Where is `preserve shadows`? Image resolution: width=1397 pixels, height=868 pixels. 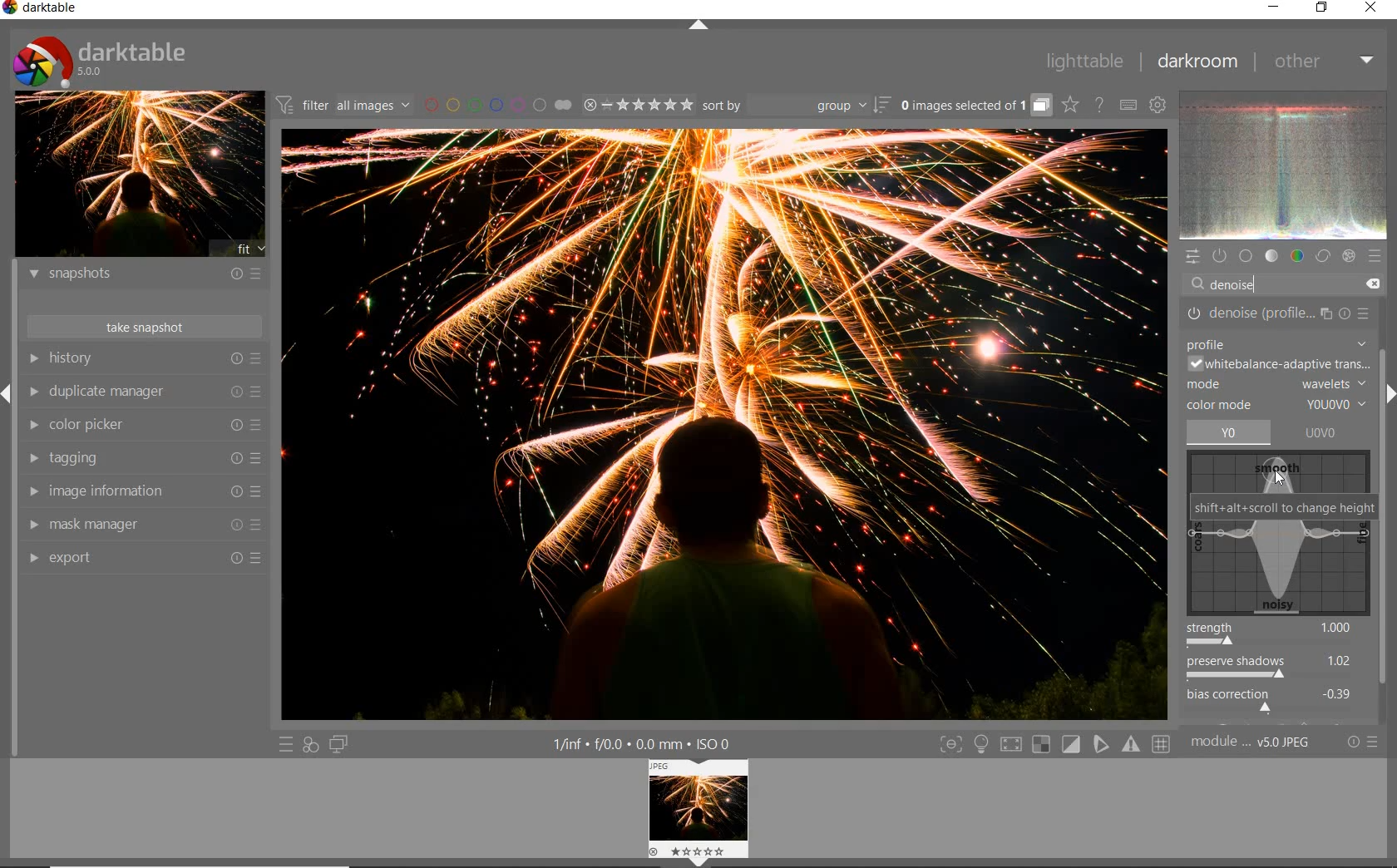
preserve shadows is located at coordinates (1276, 670).